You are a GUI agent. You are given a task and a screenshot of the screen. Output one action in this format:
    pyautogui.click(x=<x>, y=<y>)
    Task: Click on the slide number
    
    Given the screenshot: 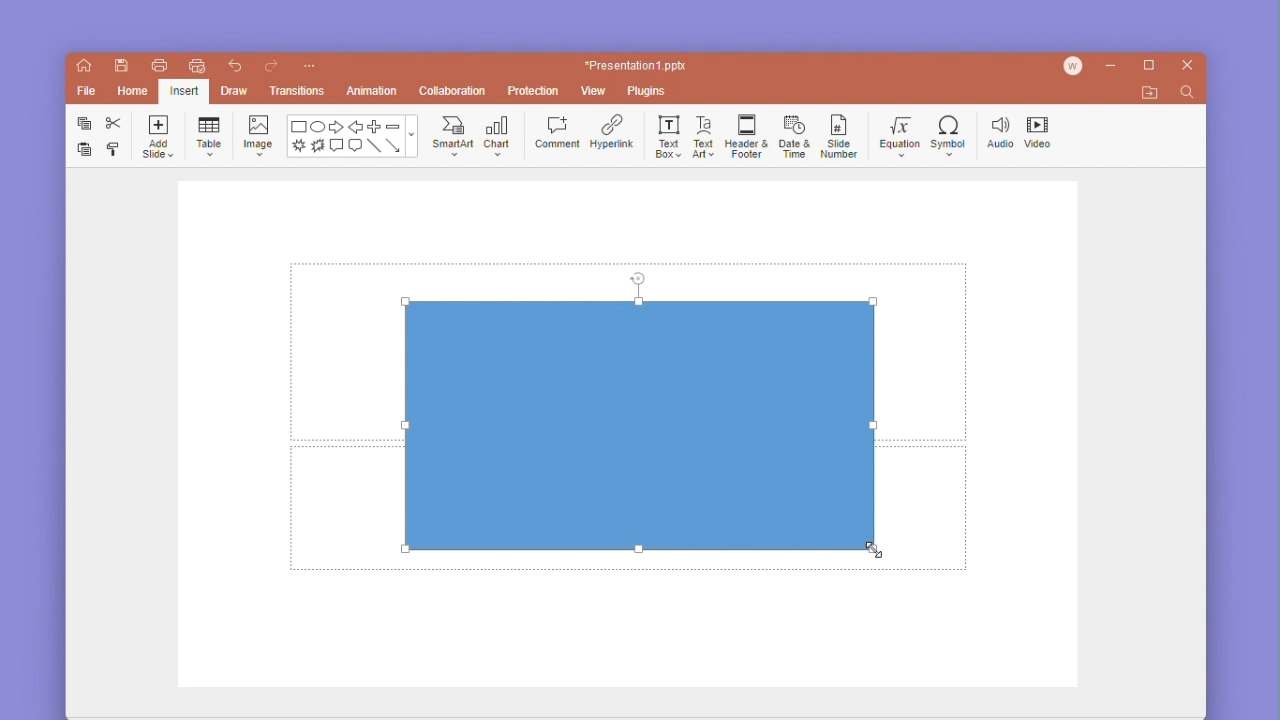 What is the action you would take?
    pyautogui.click(x=838, y=135)
    